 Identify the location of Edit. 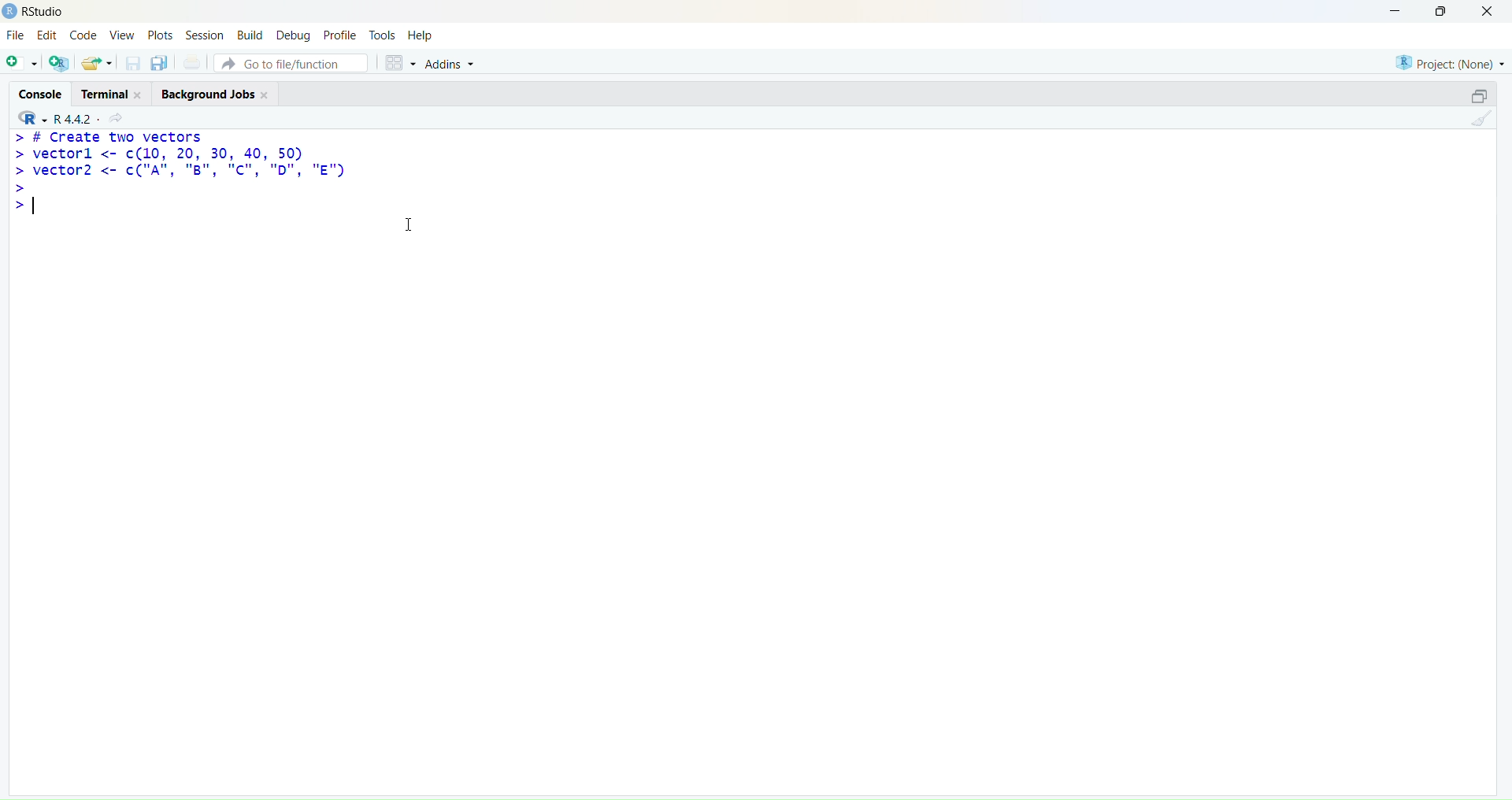
(48, 35).